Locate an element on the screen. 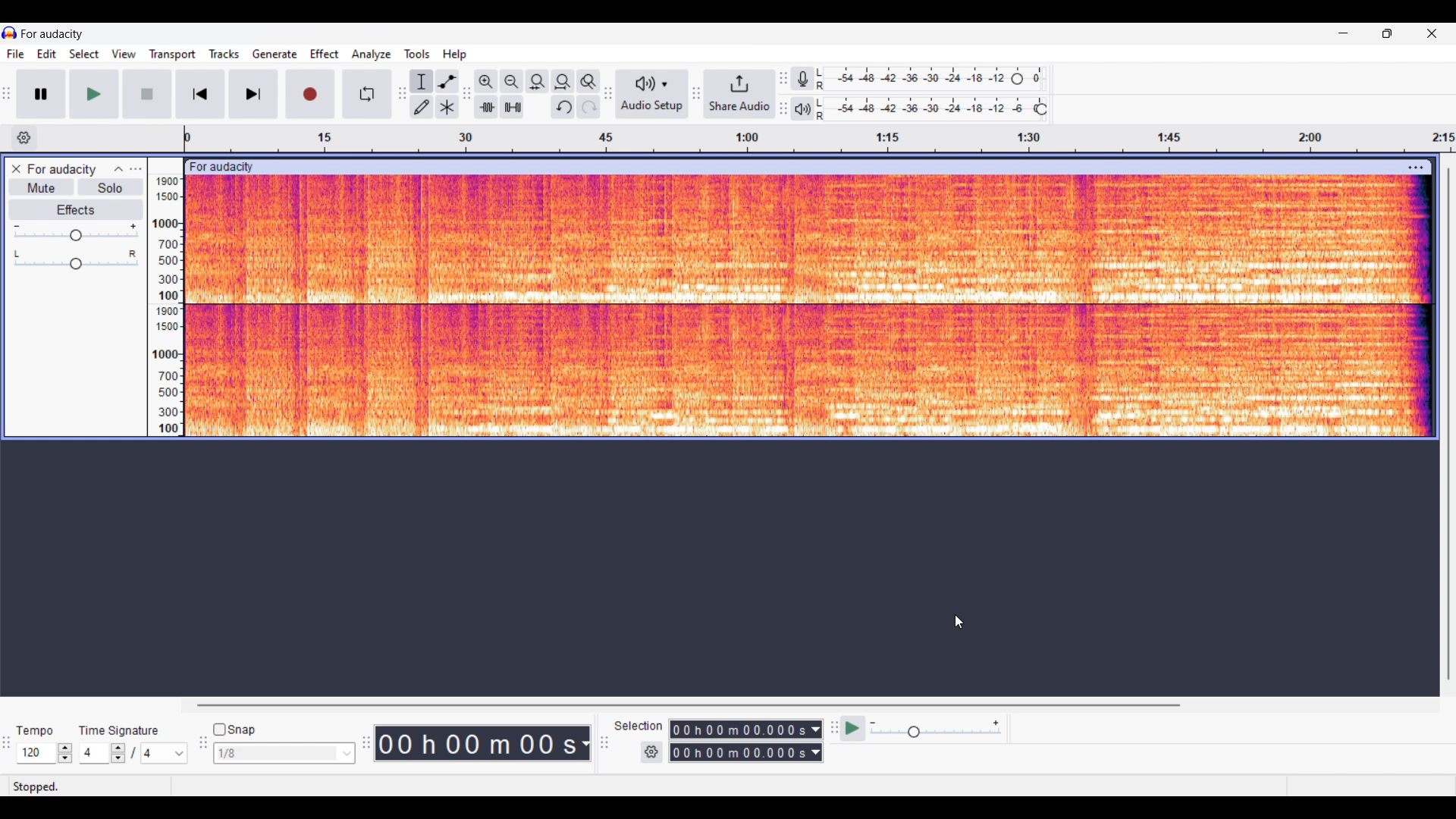 This screenshot has height=819, width=1456. Vertical slide bar is located at coordinates (1449, 423).